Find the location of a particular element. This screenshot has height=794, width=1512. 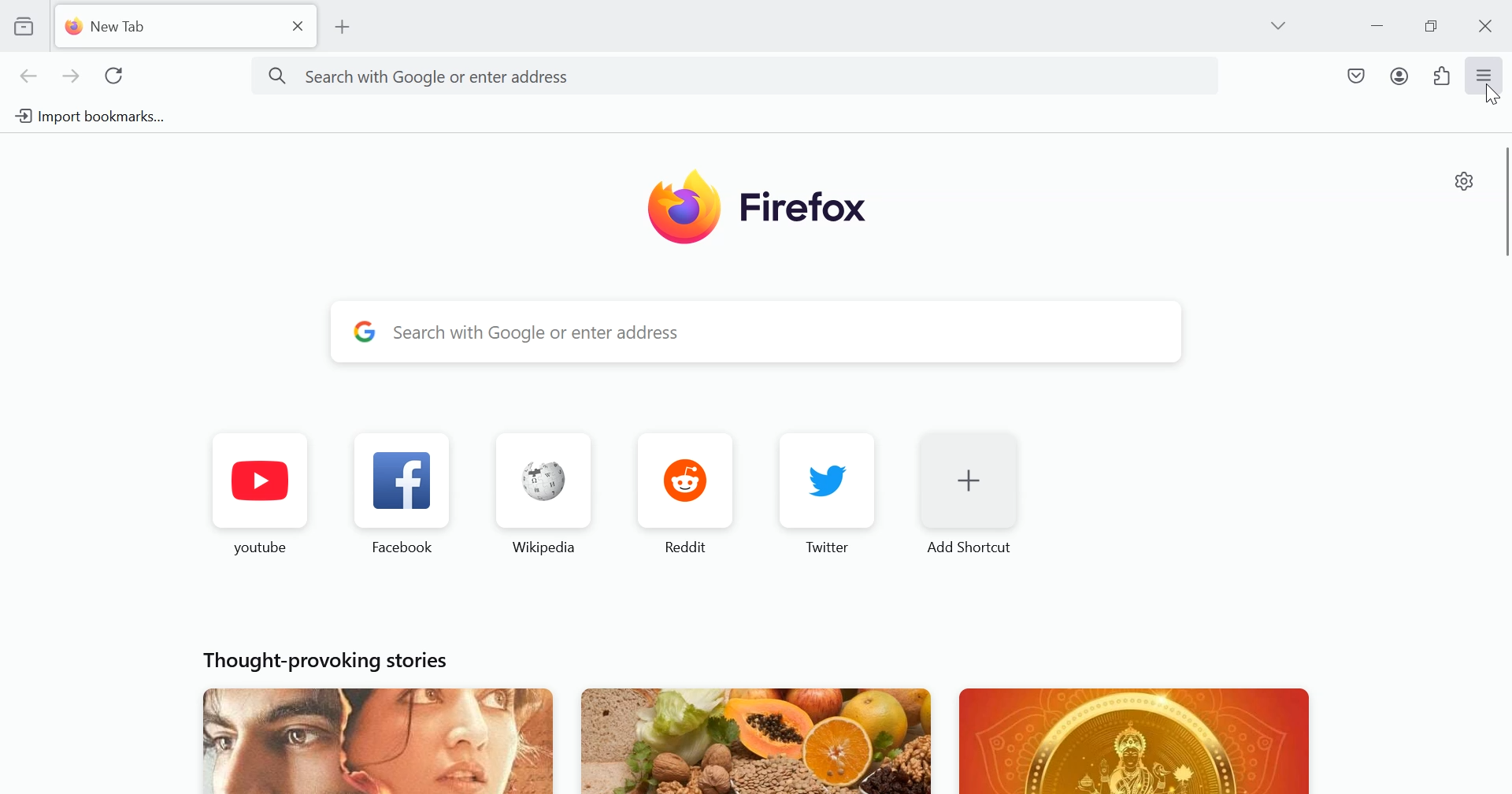

Add shortcut is located at coordinates (969, 494).